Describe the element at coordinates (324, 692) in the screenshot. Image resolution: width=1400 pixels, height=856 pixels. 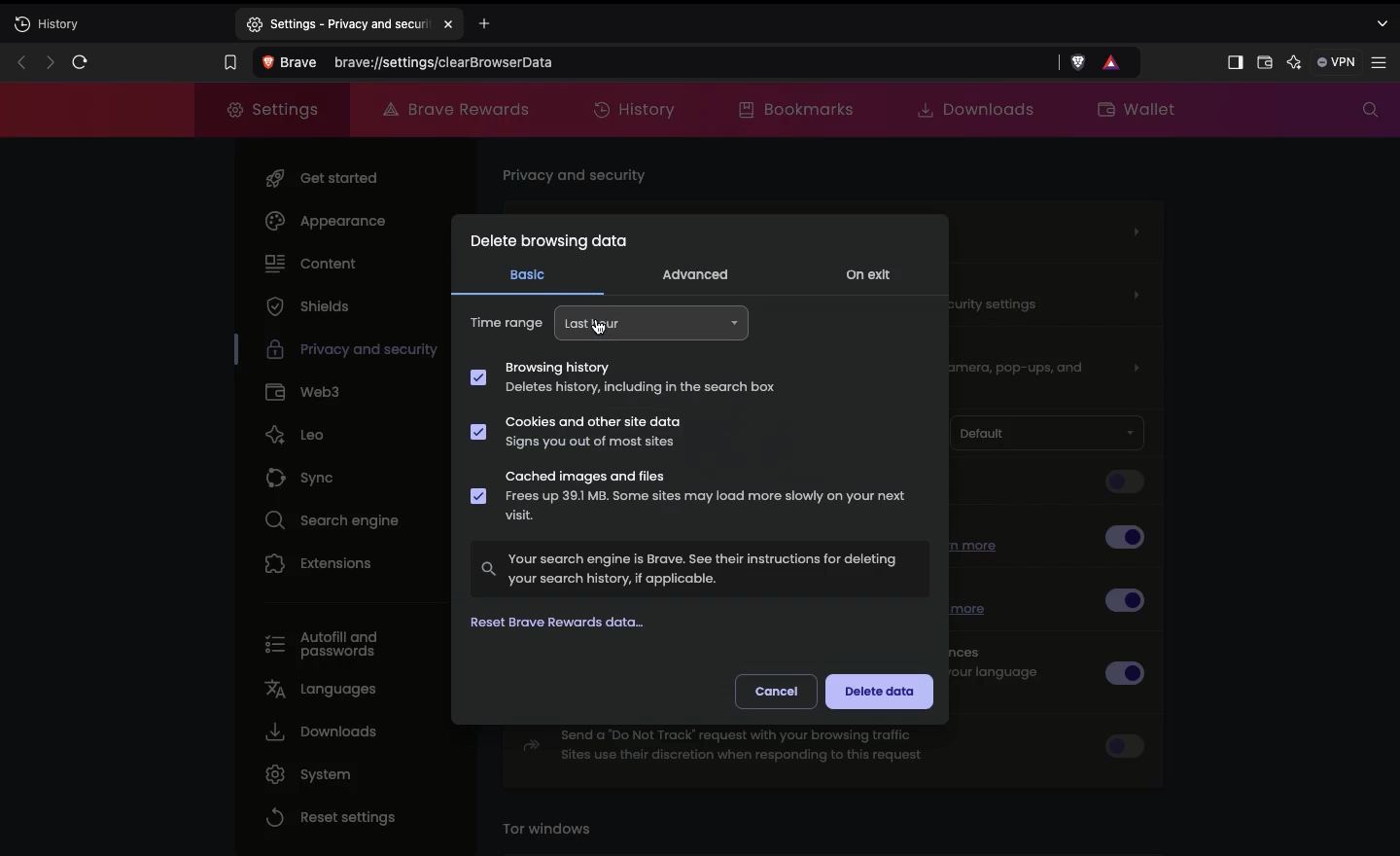
I see `Languages` at that location.